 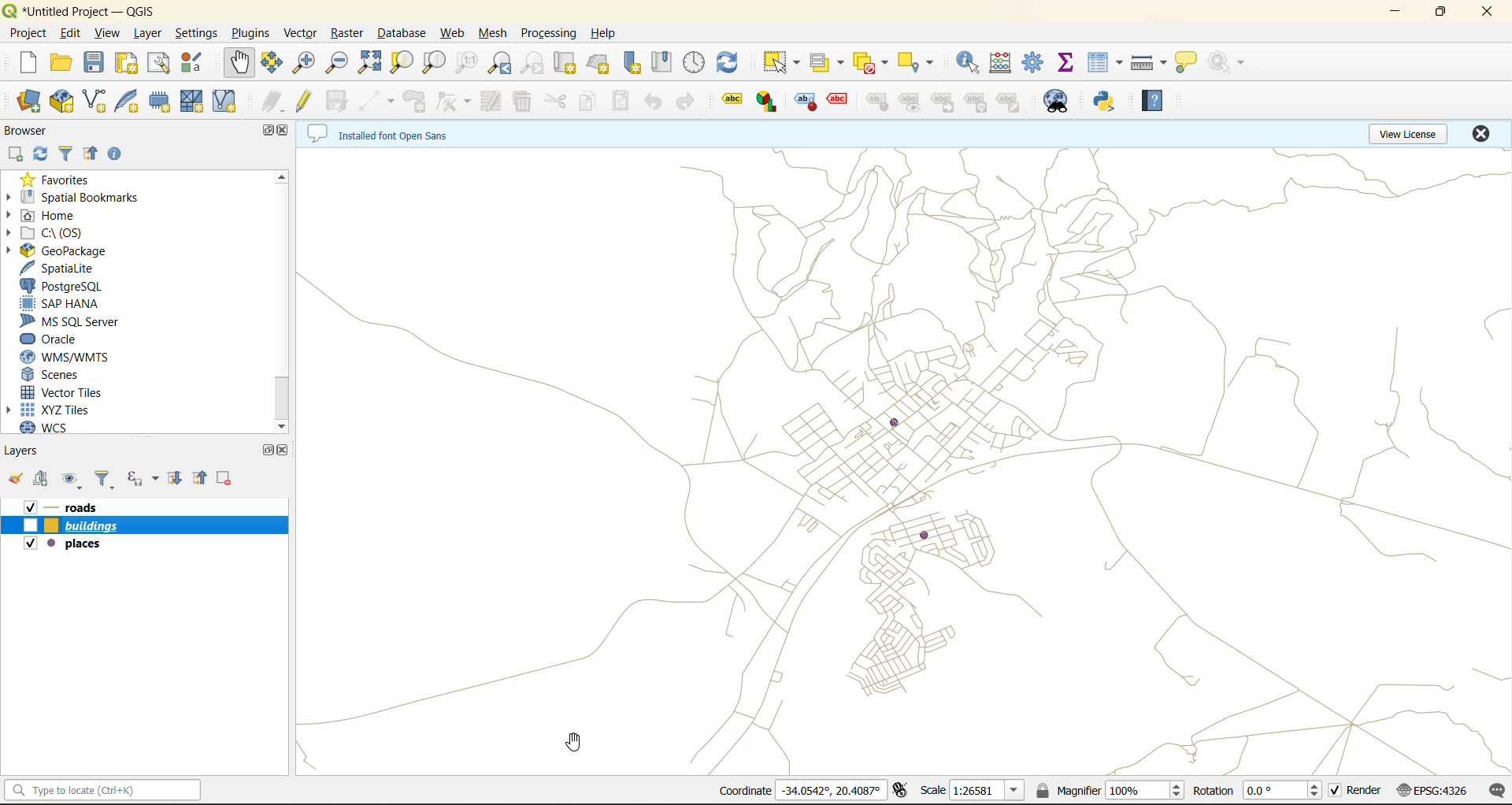 I want to click on zoom last, so click(x=501, y=64).